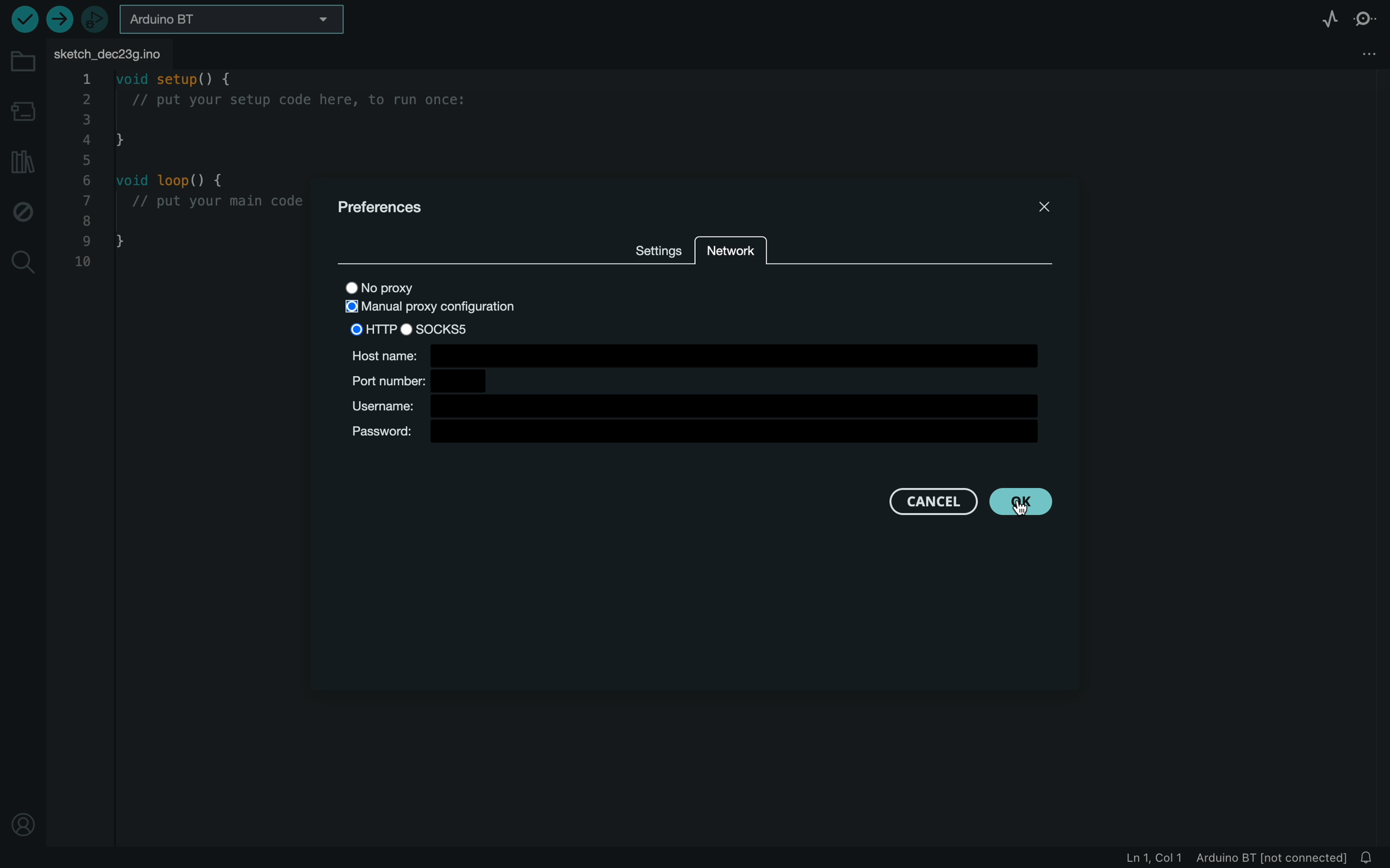 This screenshot has width=1390, height=868. What do you see at coordinates (186, 173) in the screenshot?
I see `code` at bounding box center [186, 173].